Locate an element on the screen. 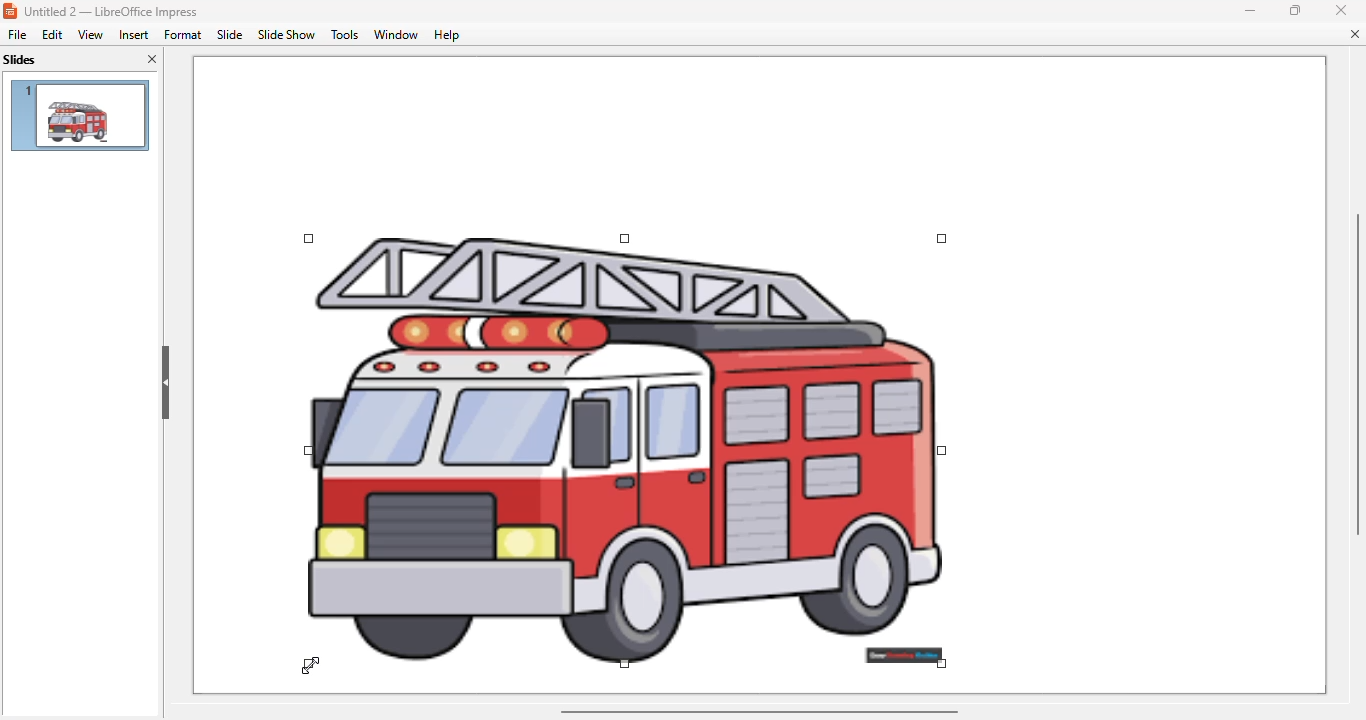  help is located at coordinates (447, 35).